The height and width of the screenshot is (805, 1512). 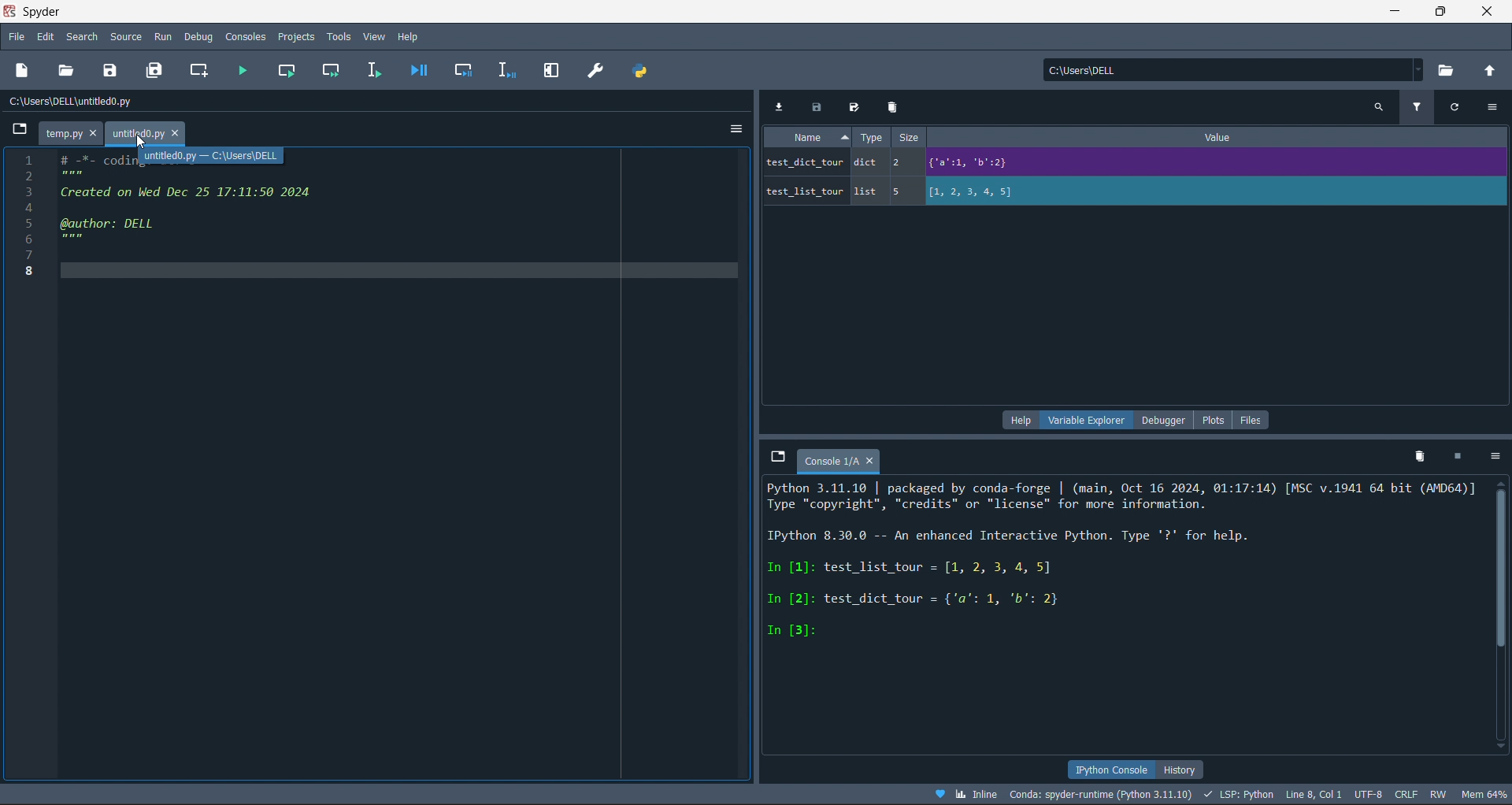 I want to click on run cell and move, so click(x=328, y=69).